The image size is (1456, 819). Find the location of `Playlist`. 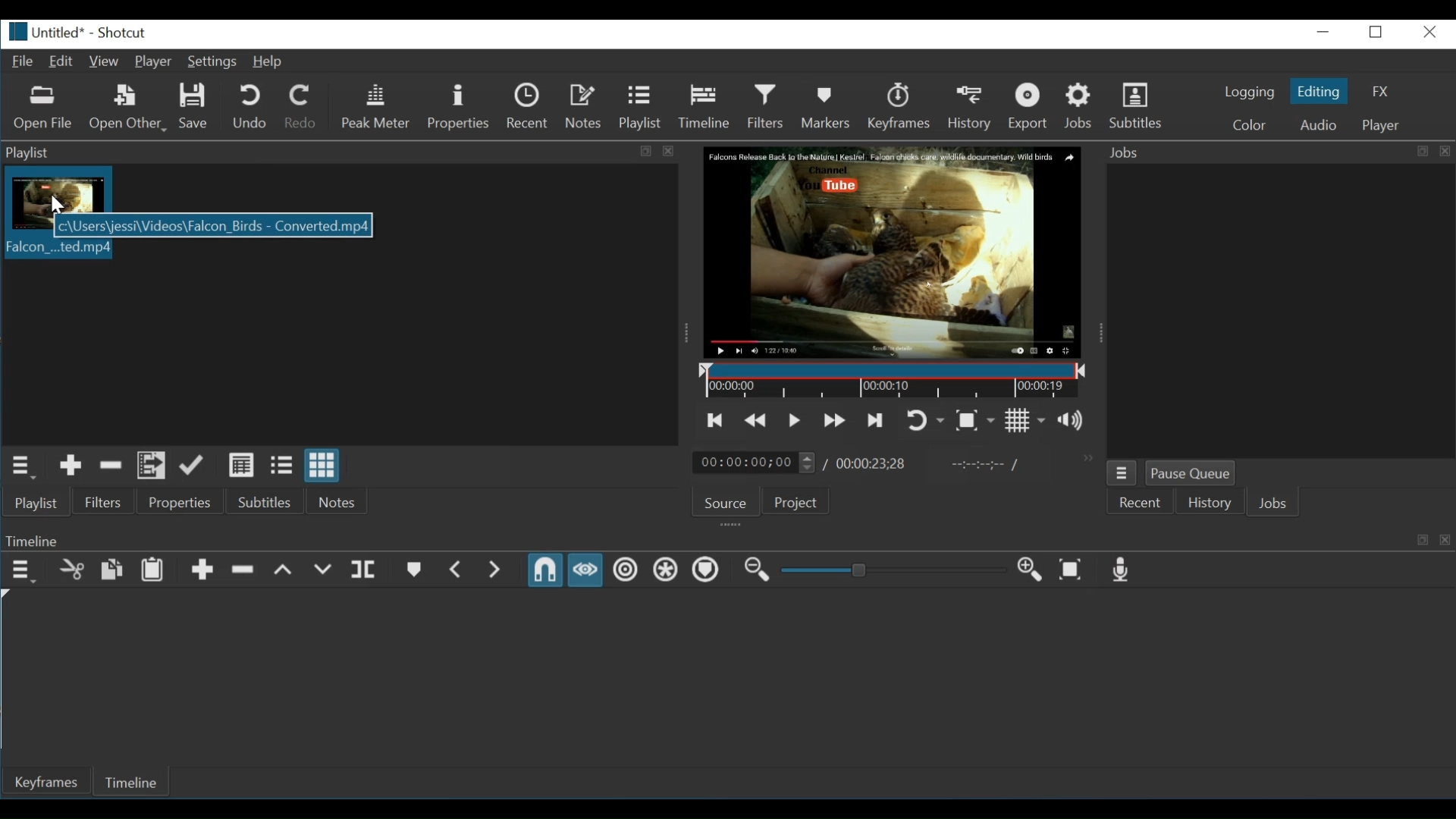

Playlist is located at coordinates (38, 502).